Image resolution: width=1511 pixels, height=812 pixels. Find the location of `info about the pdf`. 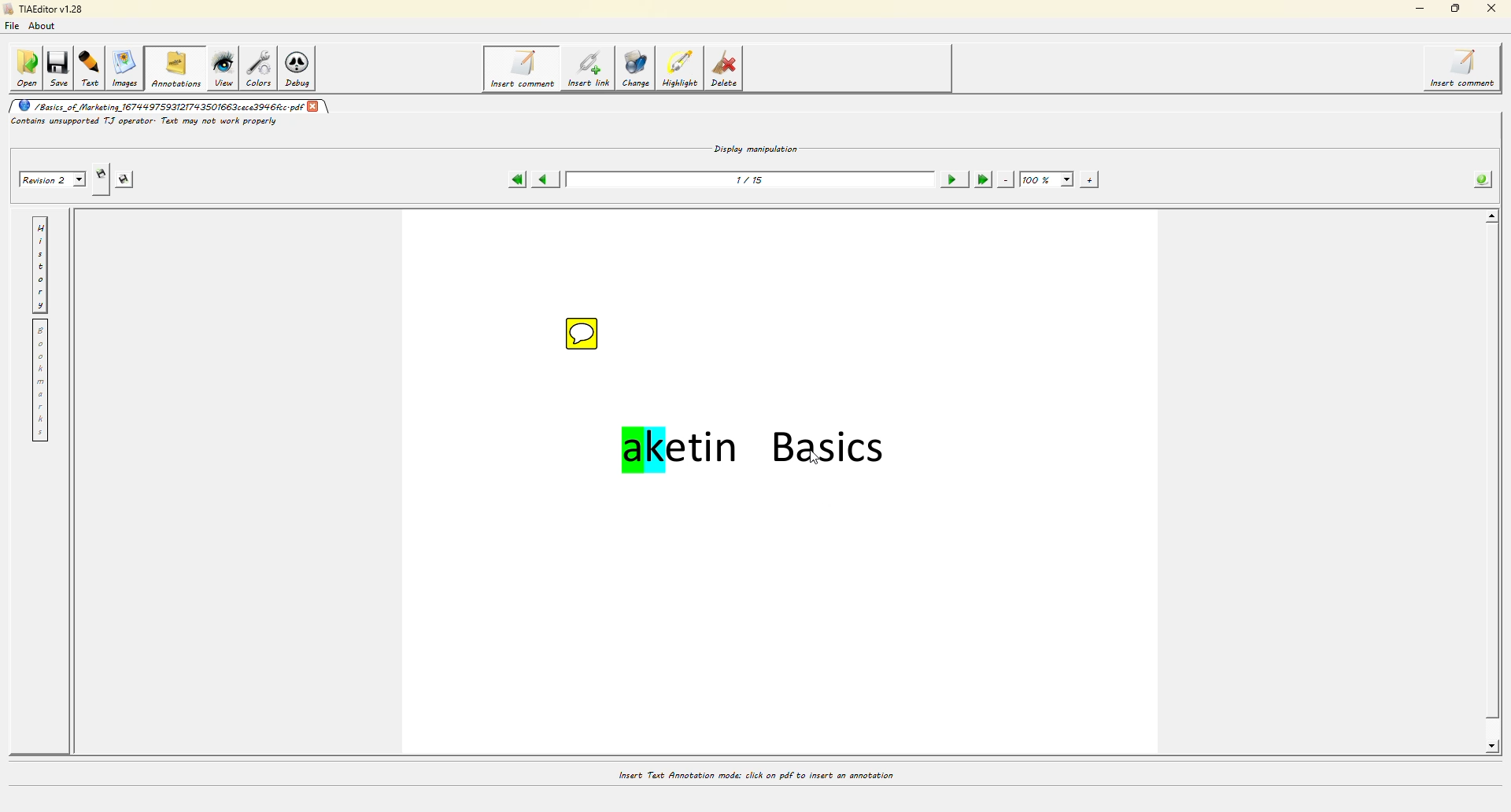

info about the pdf is located at coordinates (1480, 180).